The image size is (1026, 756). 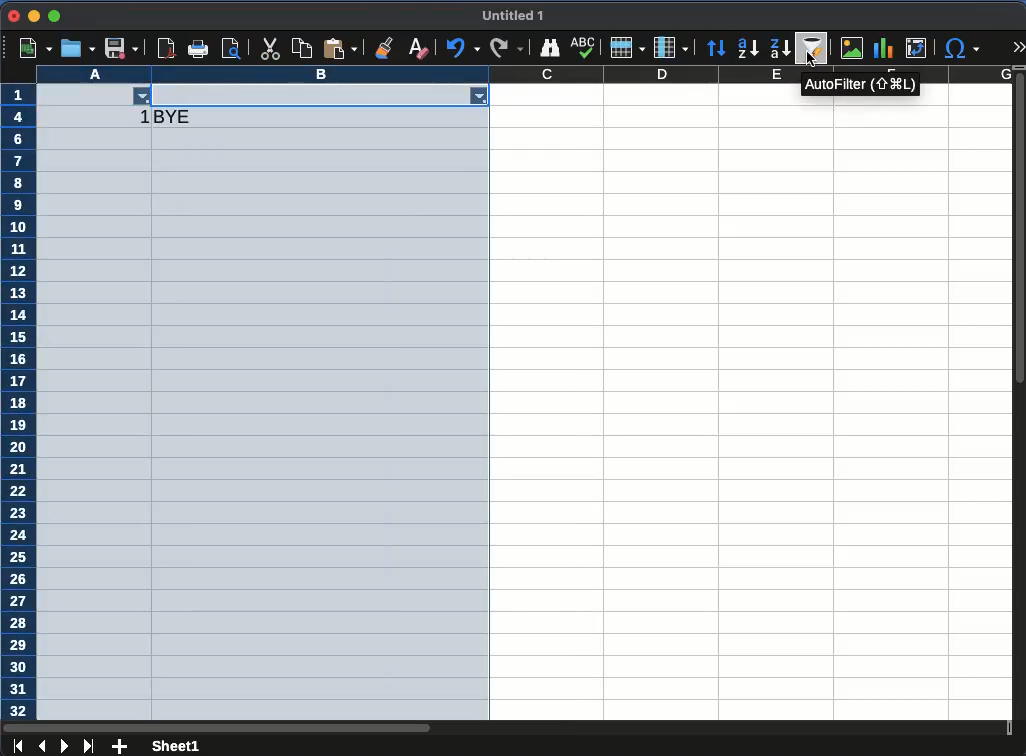 What do you see at coordinates (123, 50) in the screenshot?
I see `save` at bounding box center [123, 50].